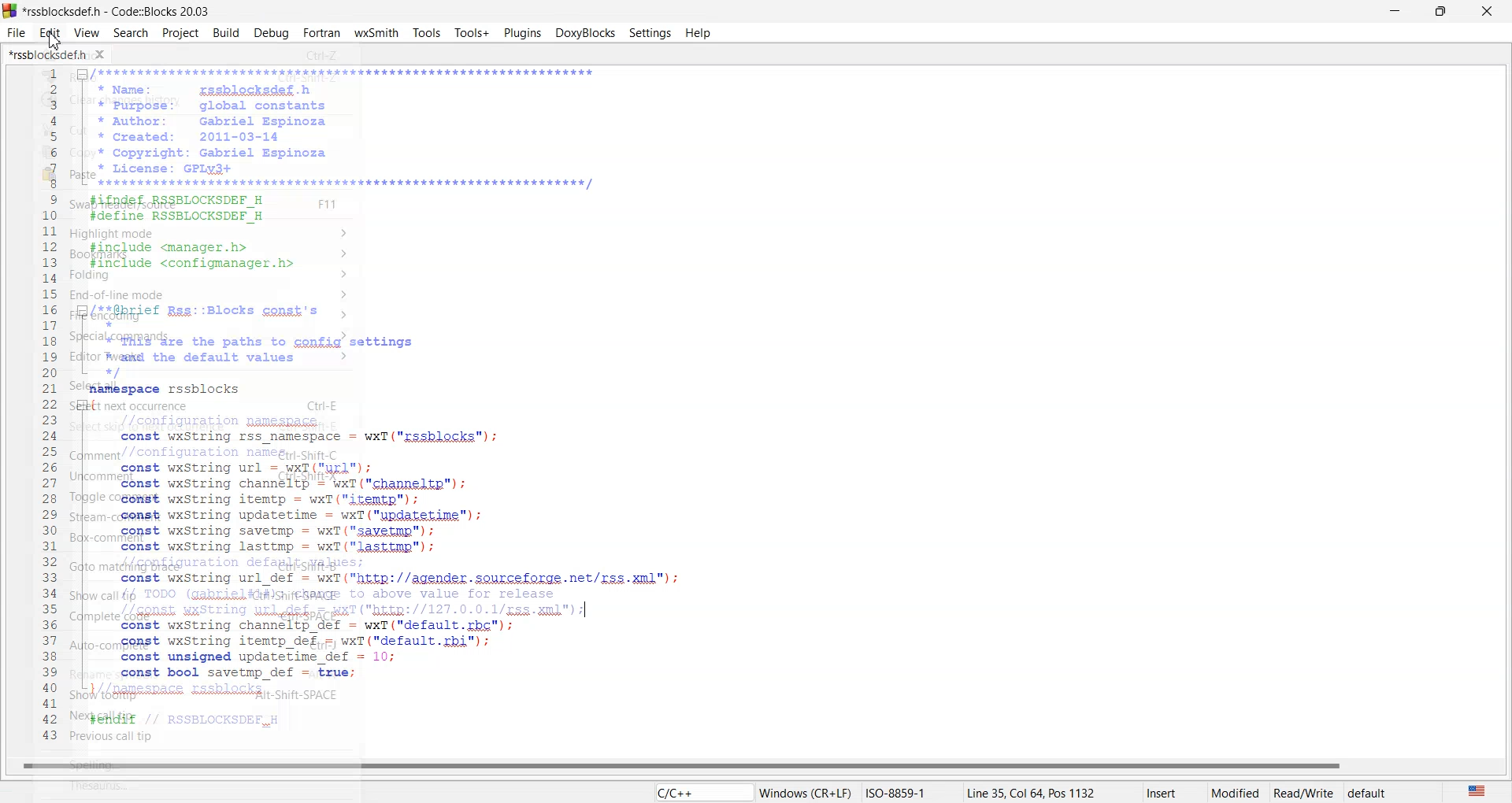 This screenshot has width=1512, height=803. What do you see at coordinates (227, 32) in the screenshot?
I see `Build` at bounding box center [227, 32].